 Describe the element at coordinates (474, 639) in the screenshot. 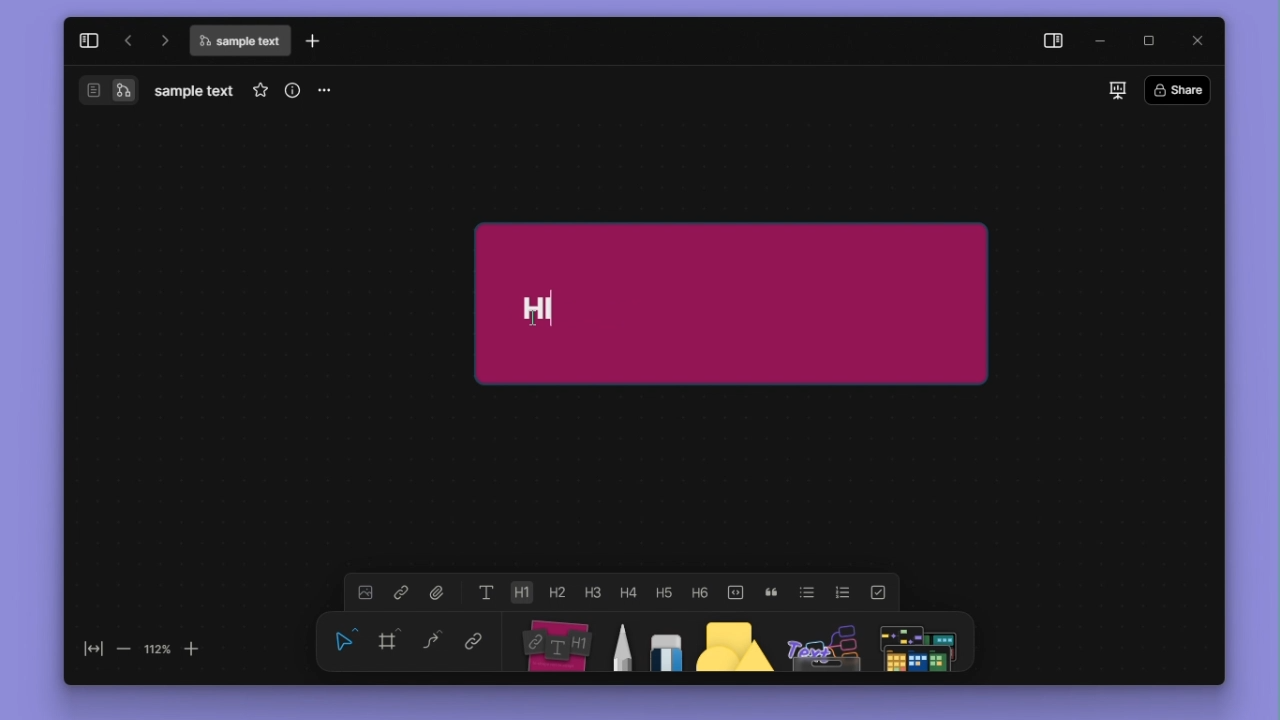

I see `link` at that location.